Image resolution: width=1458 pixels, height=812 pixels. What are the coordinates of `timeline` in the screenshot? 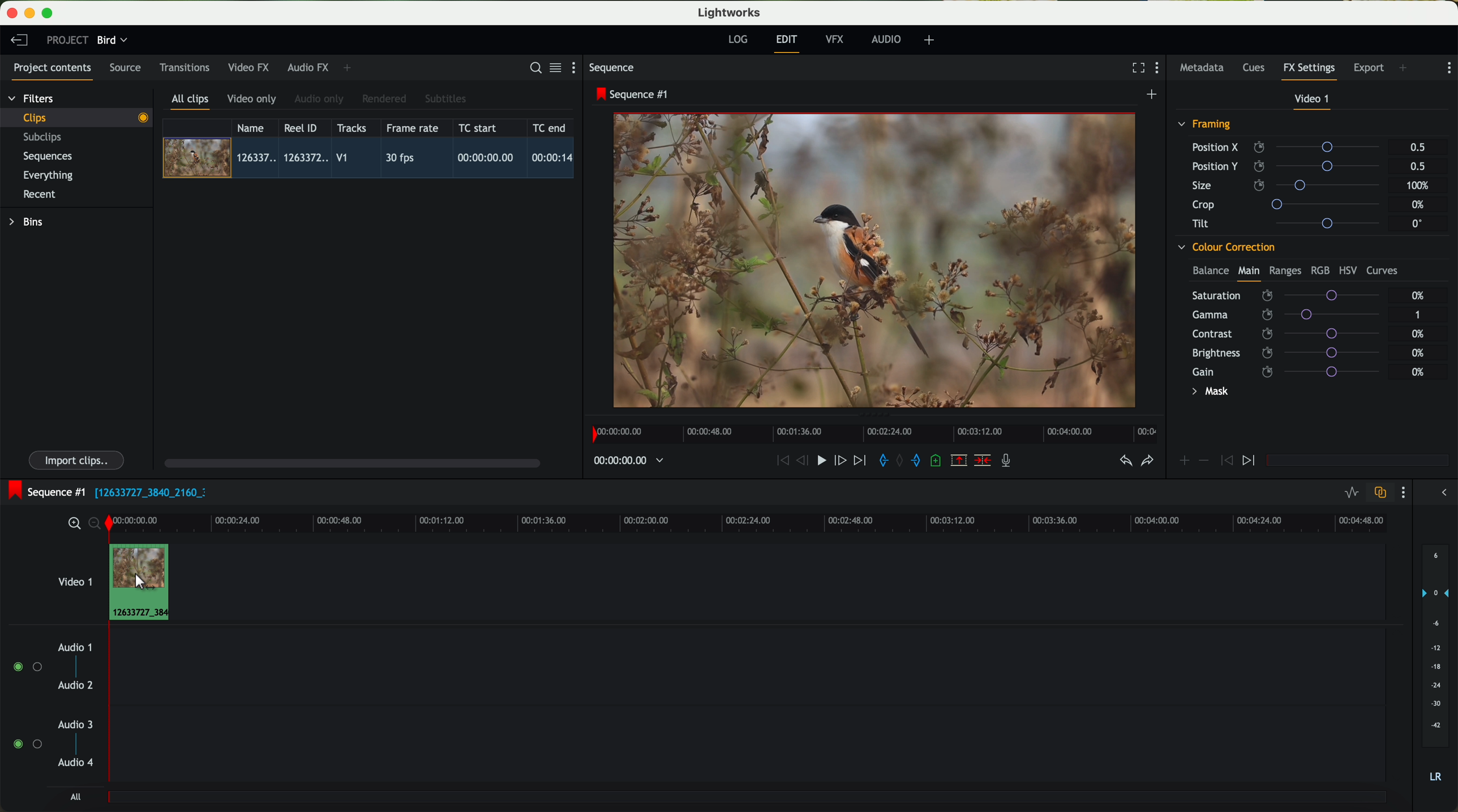 It's located at (778, 522).